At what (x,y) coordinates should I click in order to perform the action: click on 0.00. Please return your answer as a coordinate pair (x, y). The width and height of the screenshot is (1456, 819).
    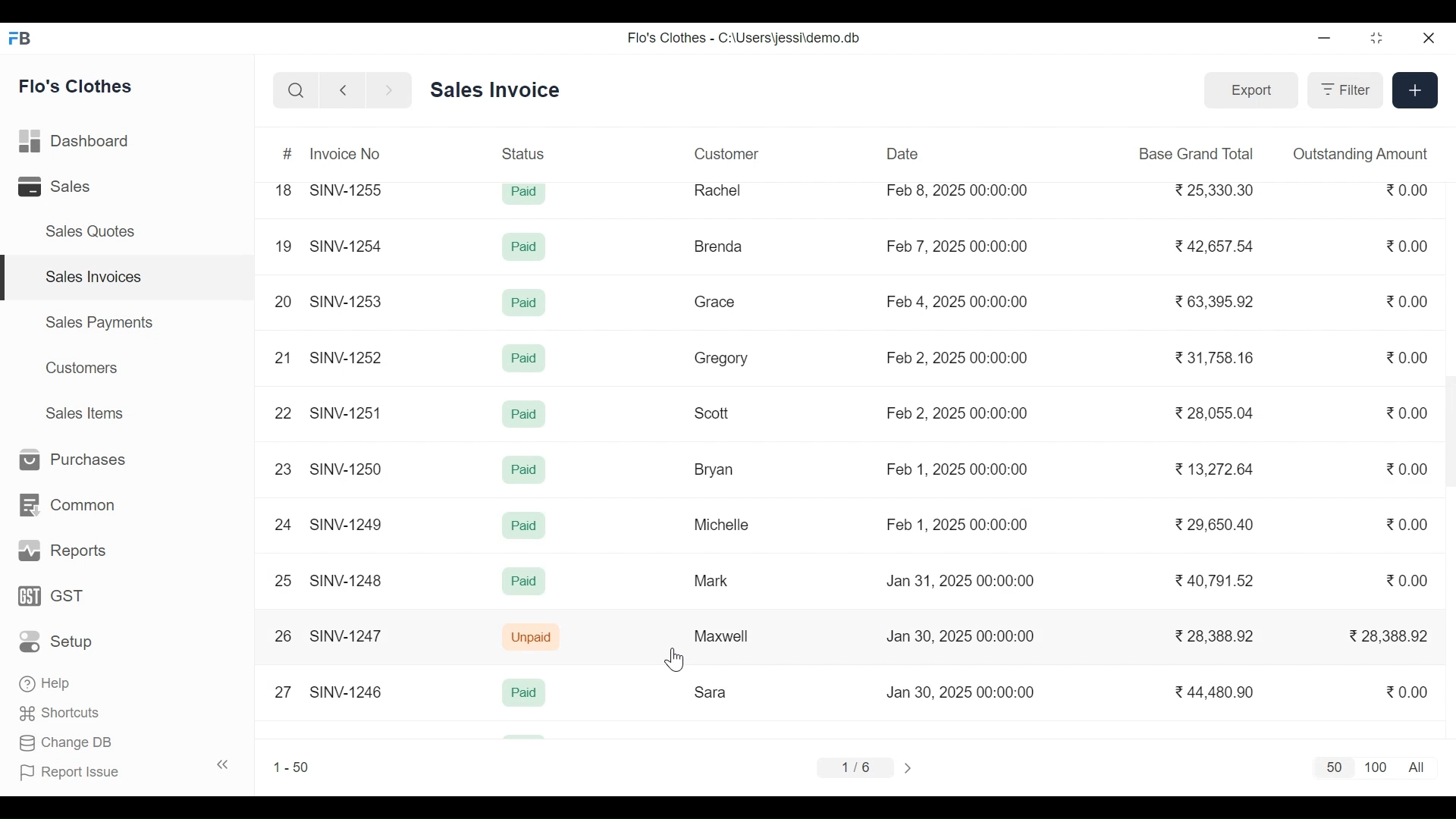
    Looking at the image, I should click on (1409, 469).